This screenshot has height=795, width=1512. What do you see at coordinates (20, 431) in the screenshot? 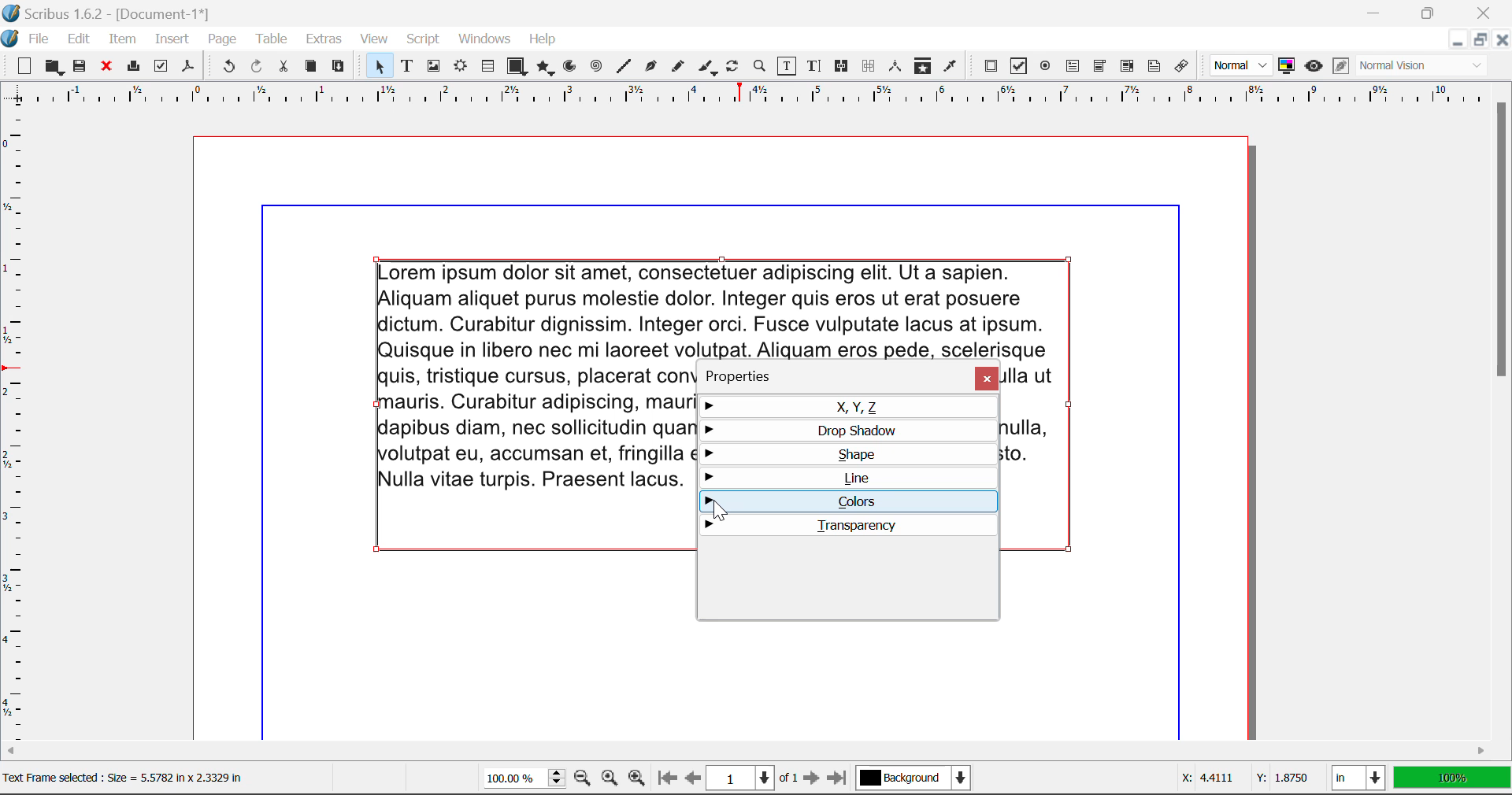
I see `Horizontal Page Margins` at bounding box center [20, 431].